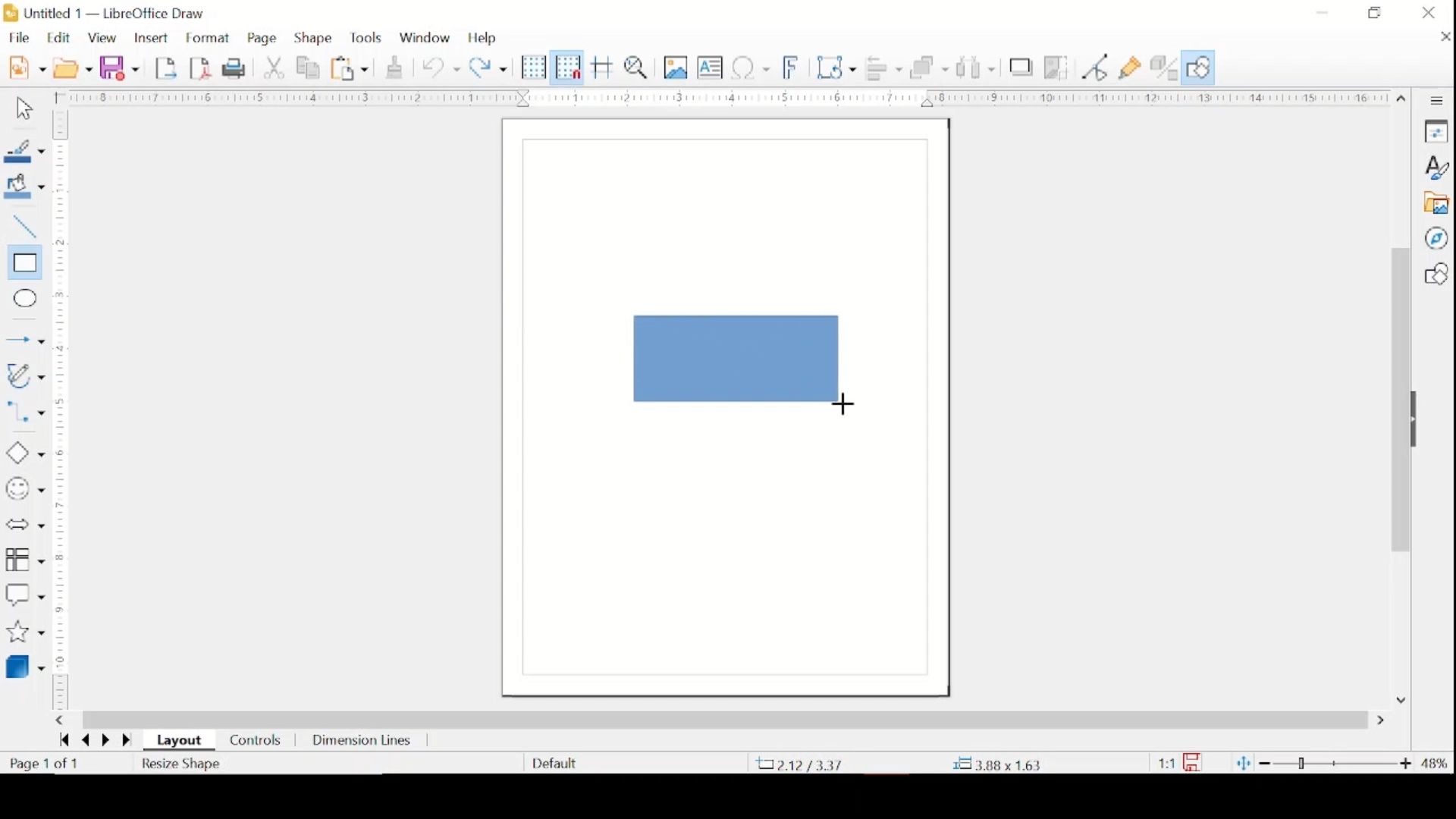 The image size is (1456, 819). Describe the element at coordinates (310, 68) in the screenshot. I see `copy` at that location.